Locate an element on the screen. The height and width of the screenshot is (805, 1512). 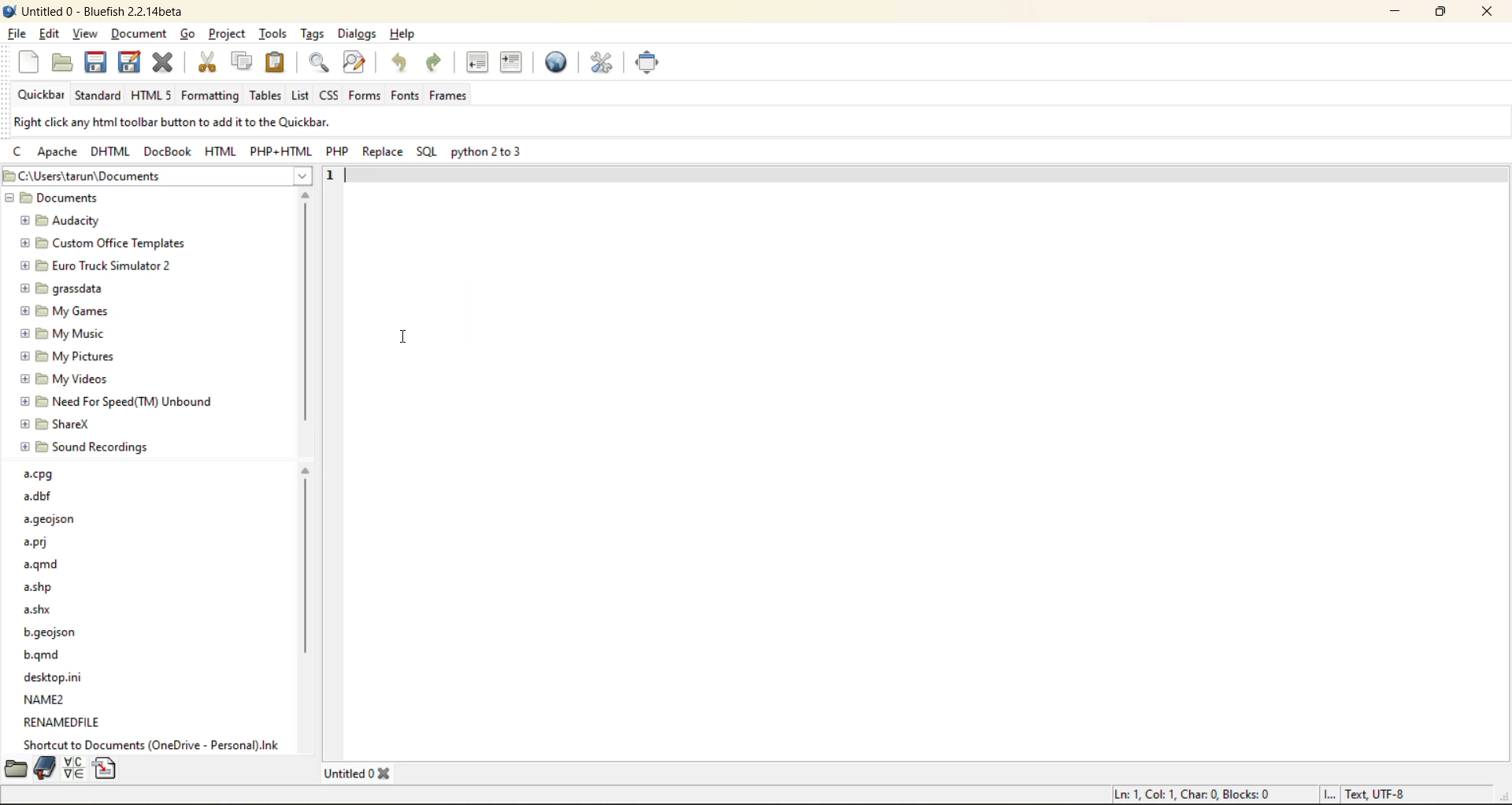
open is located at coordinates (62, 61).